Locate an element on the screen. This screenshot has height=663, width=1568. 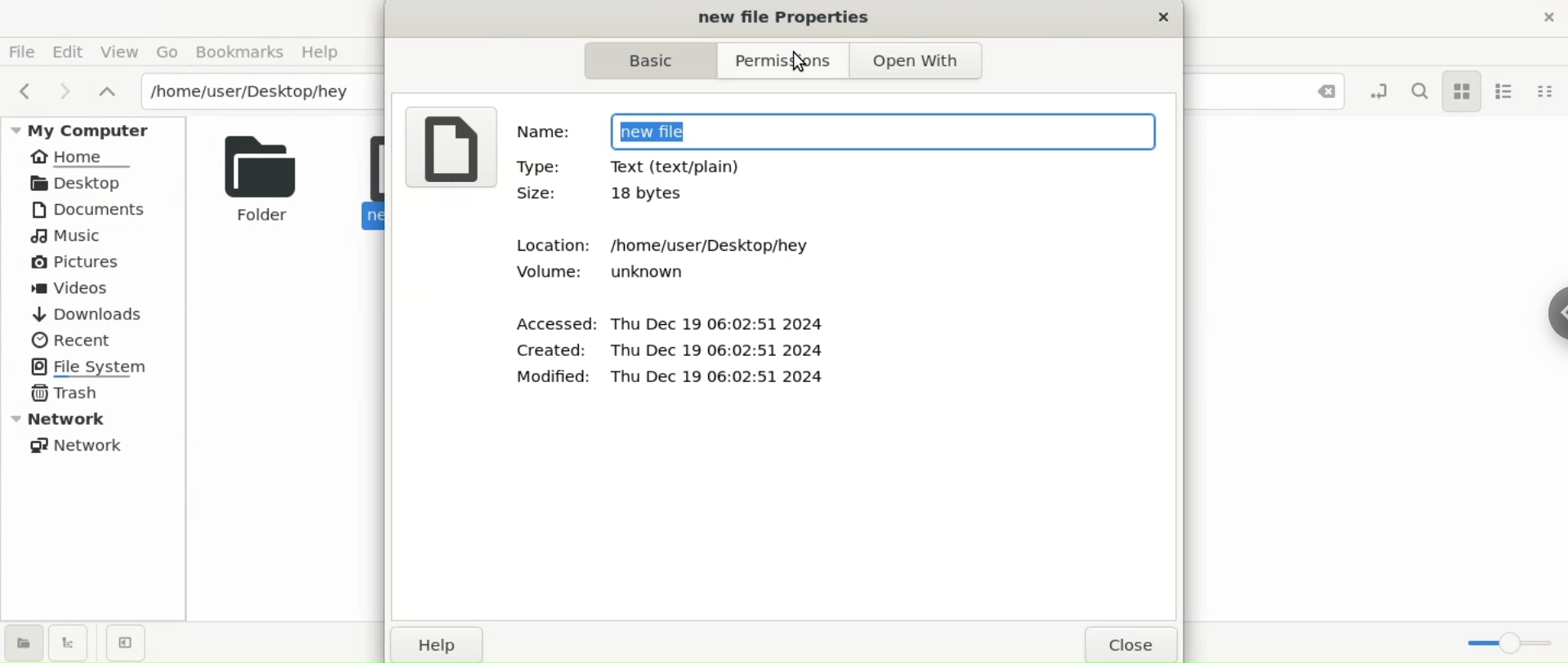
Open With is located at coordinates (926, 63).